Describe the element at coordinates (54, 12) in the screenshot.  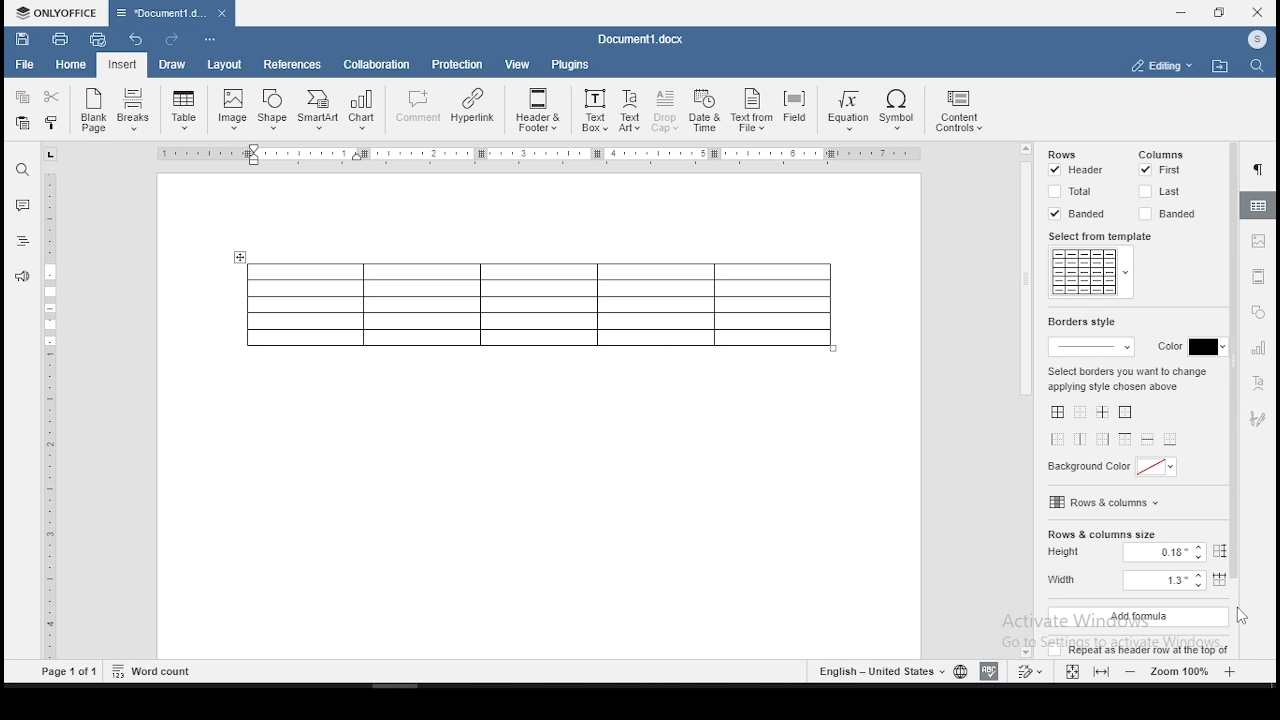
I see `ONLYOFFICE` at that location.